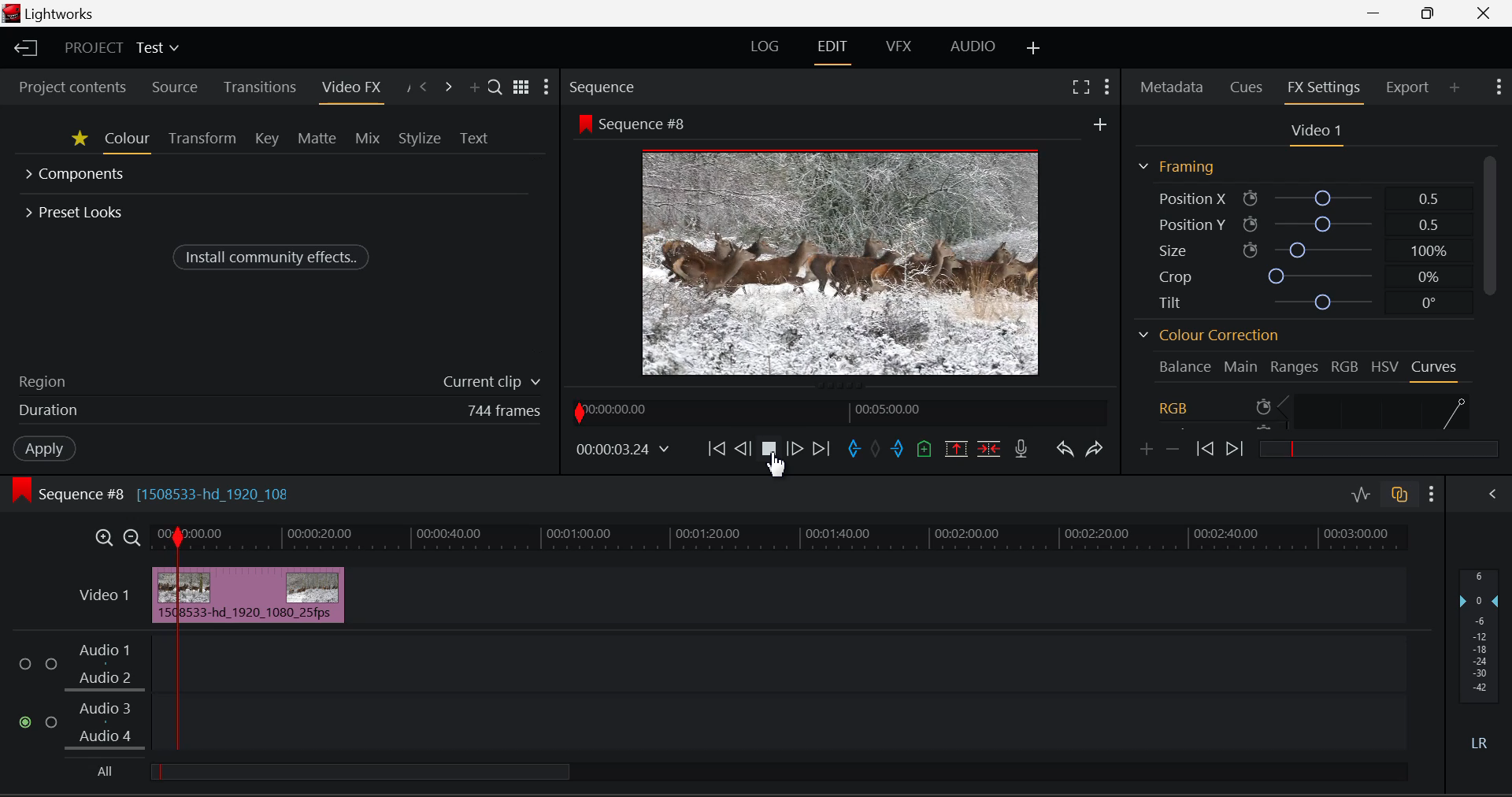  What do you see at coordinates (1345, 365) in the screenshot?
I see `RGB` at bounding box center [1345, 365].